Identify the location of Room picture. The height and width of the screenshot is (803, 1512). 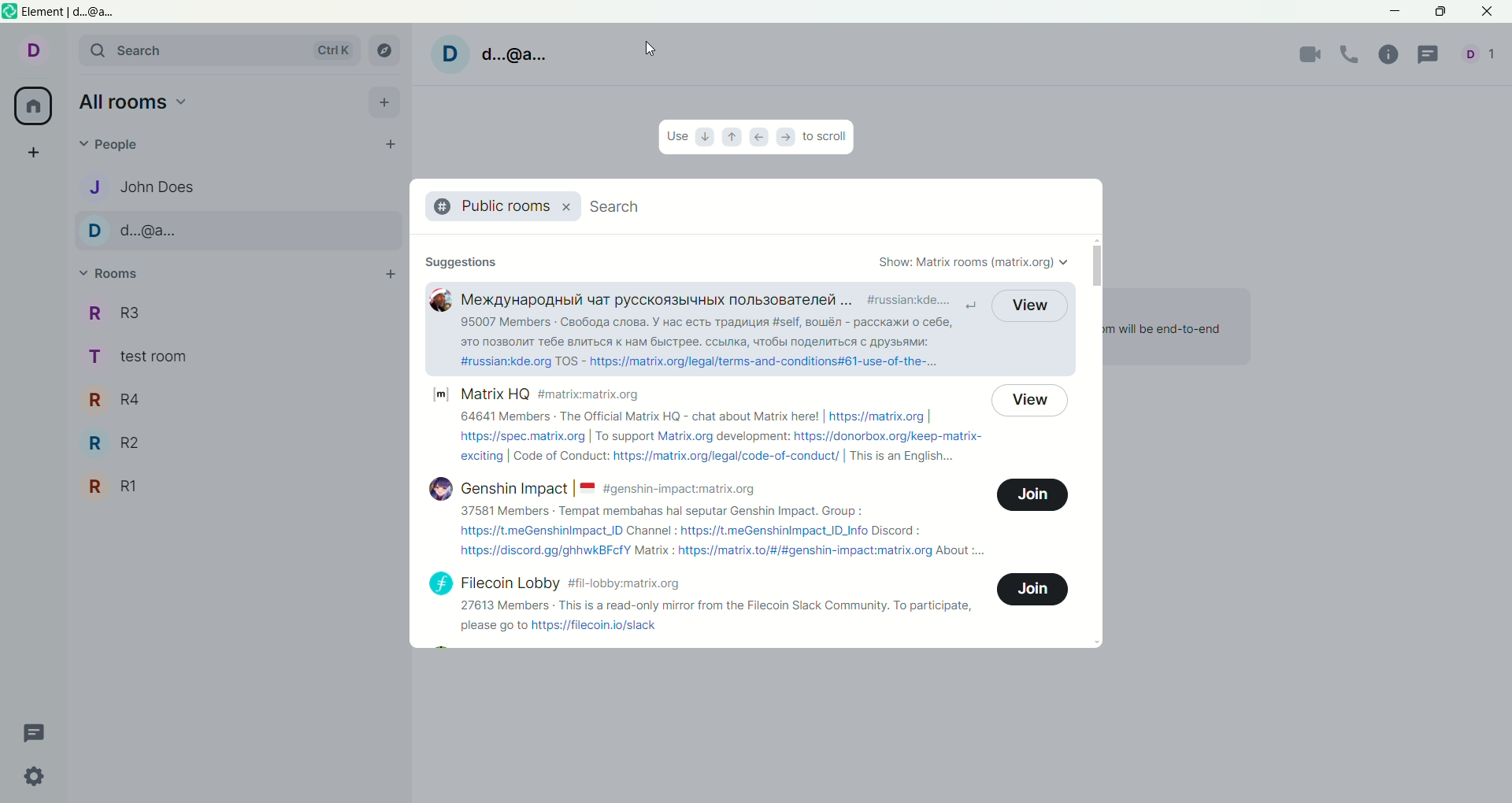
(440, 300).